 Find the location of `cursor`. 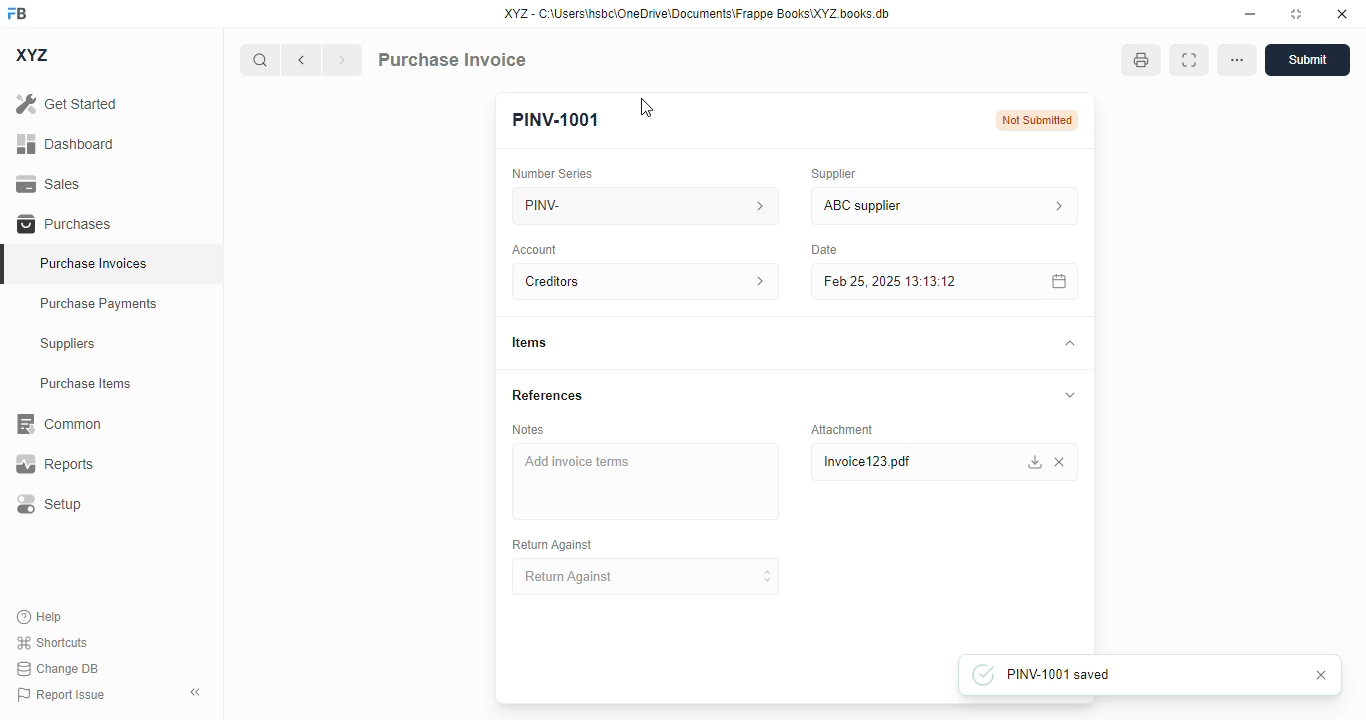

cursor is located at coordinates (647, 107).